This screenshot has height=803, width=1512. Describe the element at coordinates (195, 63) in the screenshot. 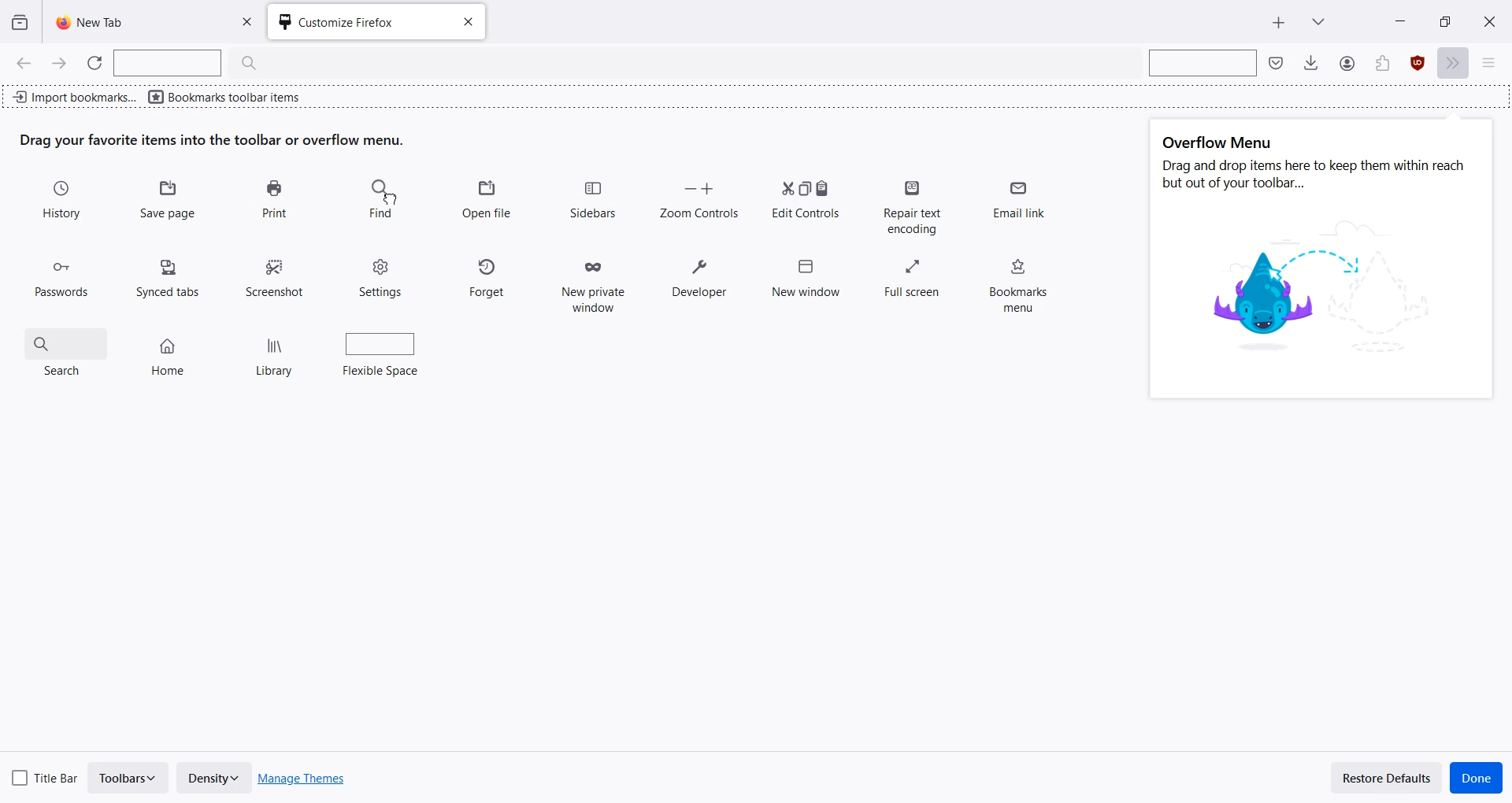

I see `Search Bar` at that location.